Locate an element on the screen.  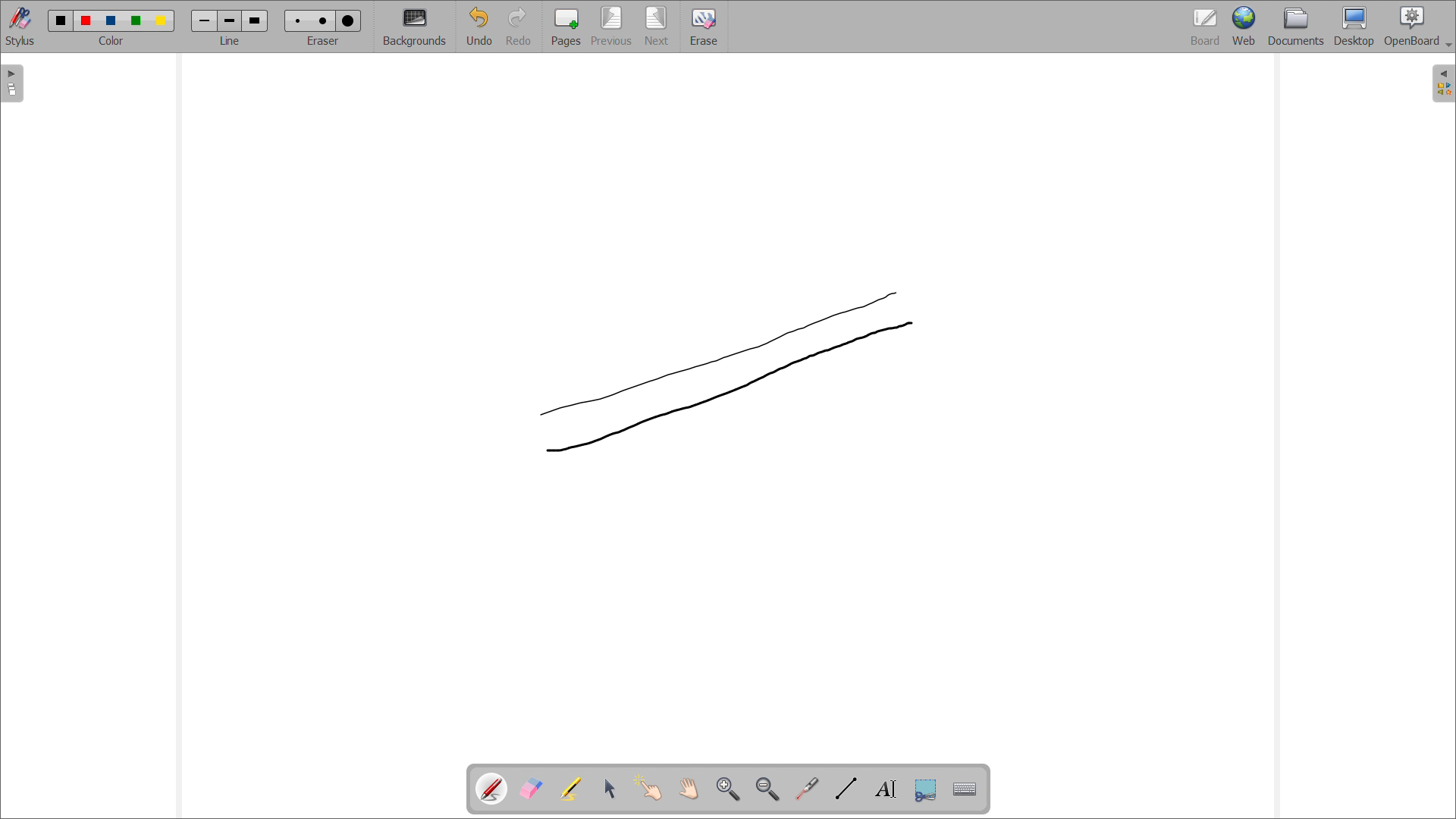
draw text is located at coordinates (887, 789).